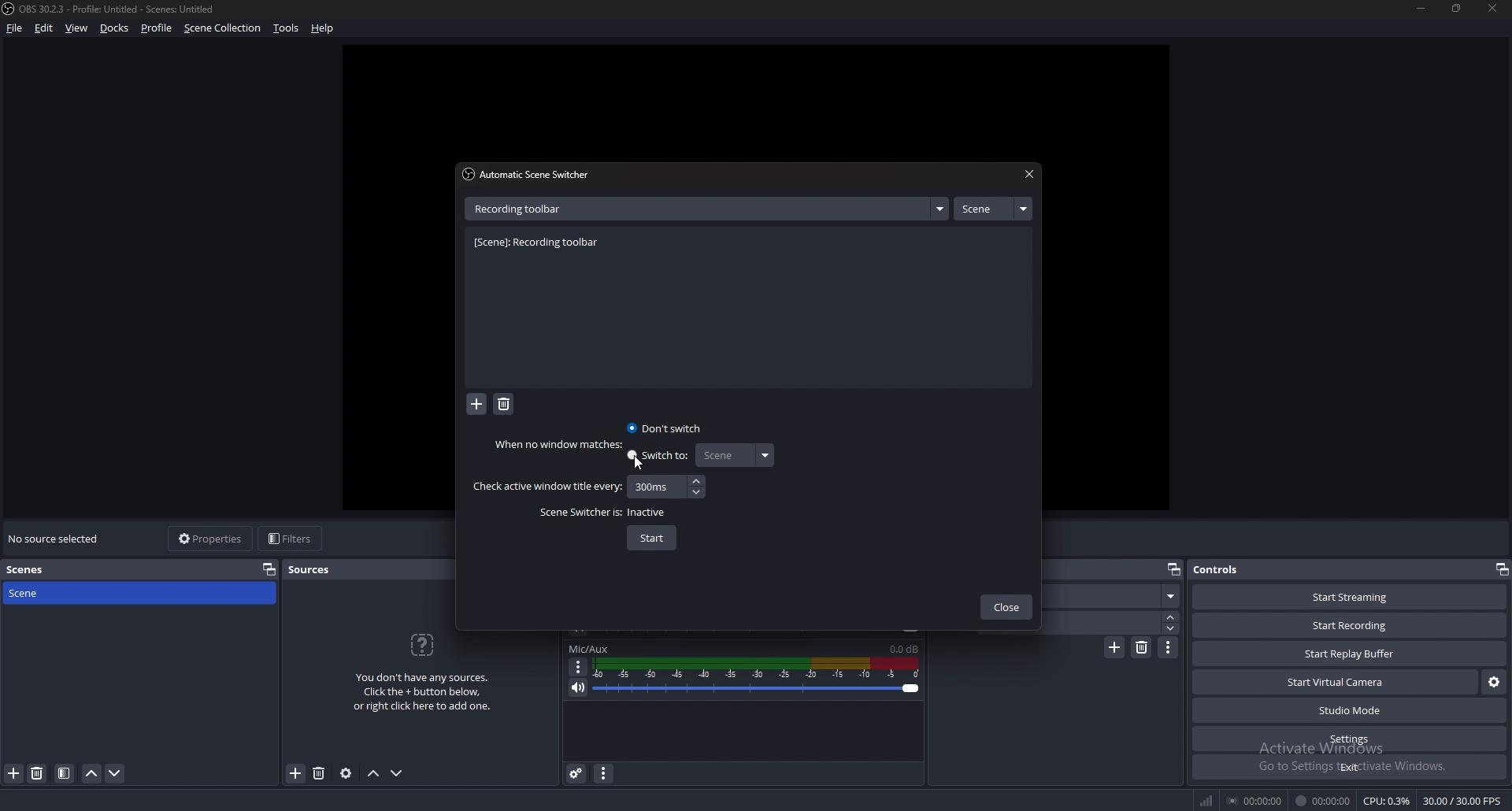  I want to click on close, so click(1489, 7).